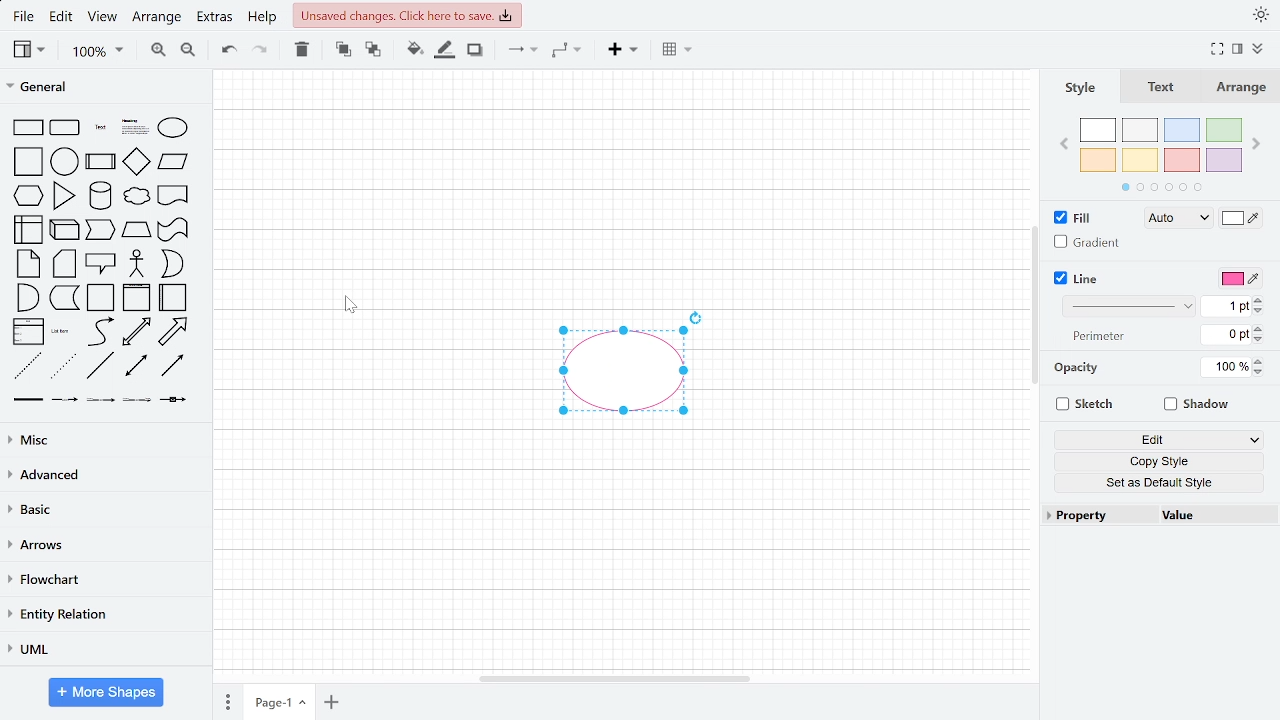 Image resolution: width=1280 pixels, height=720 pixels. I want to click on Misc, so click(101, 440).